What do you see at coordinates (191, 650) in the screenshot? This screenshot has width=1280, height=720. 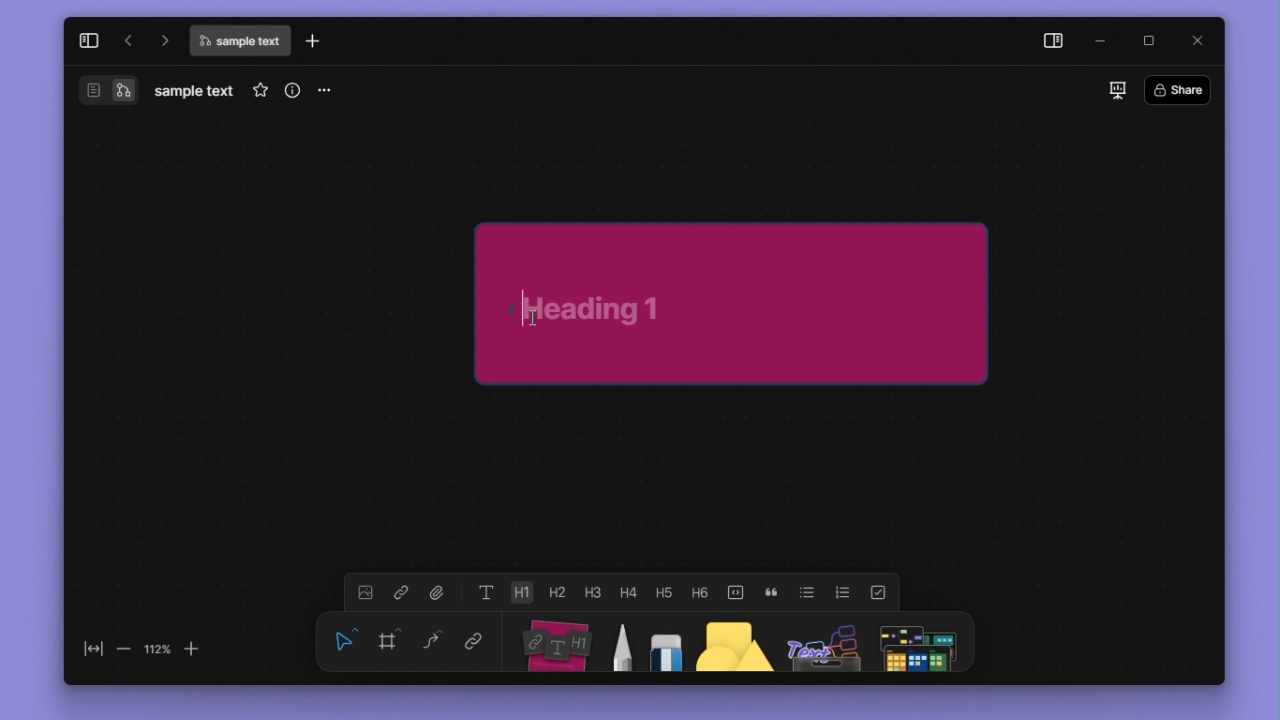 I see `zoom in` at bounding box center [191, 650].